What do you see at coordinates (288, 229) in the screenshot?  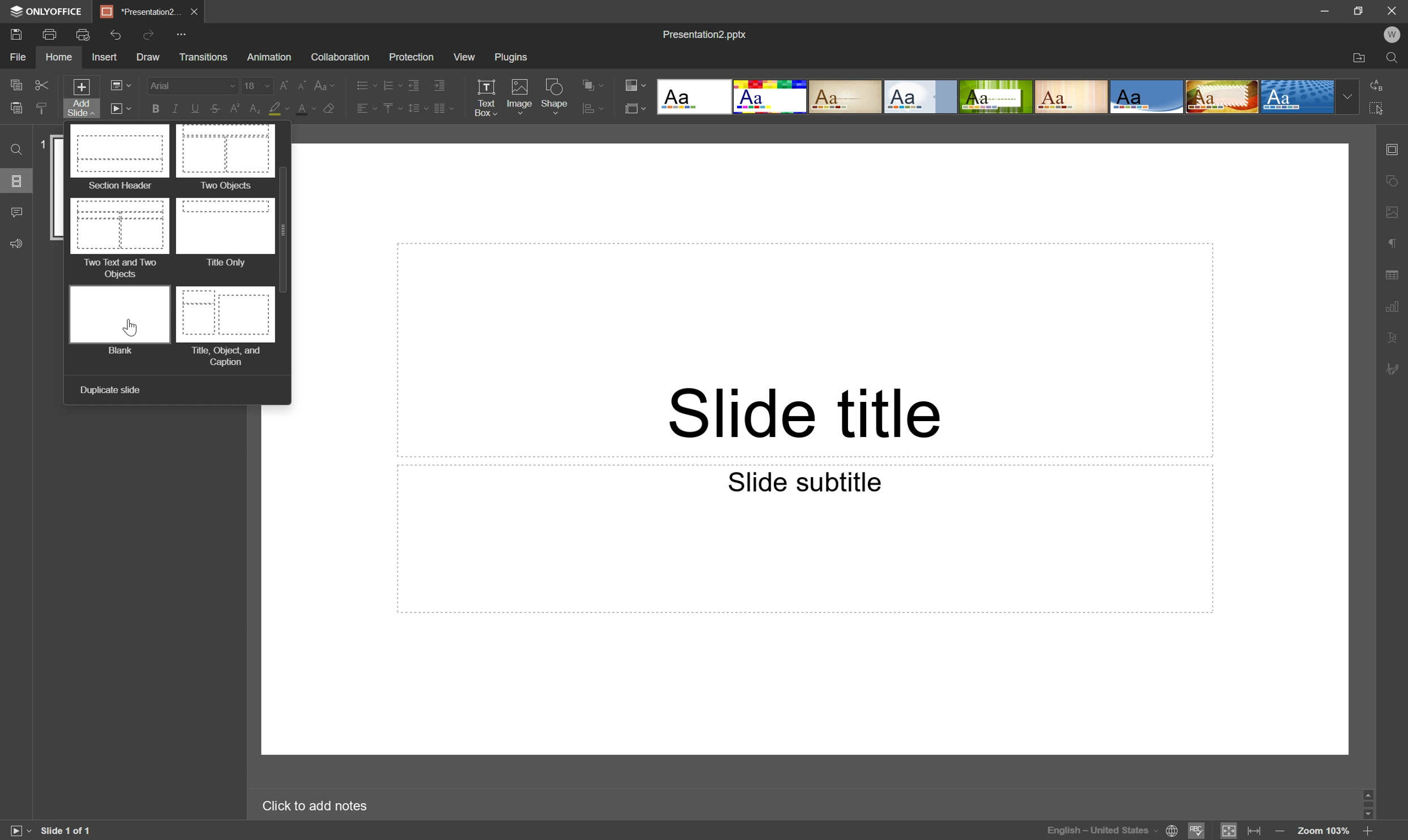 I see `Scroll Bar` at bounding box center [288, 229].